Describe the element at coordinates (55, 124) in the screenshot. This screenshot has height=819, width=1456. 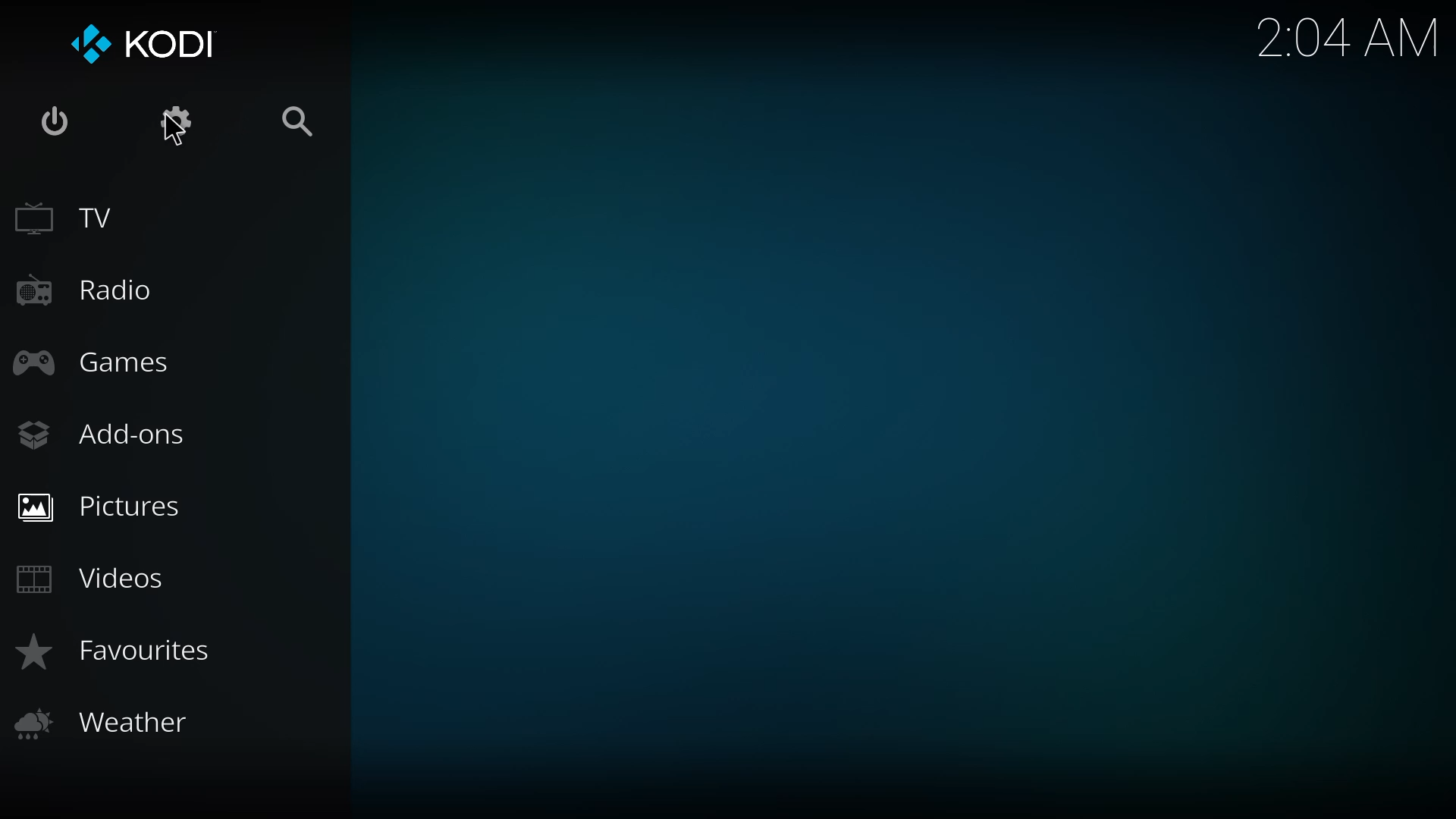
I see `power` at that location.